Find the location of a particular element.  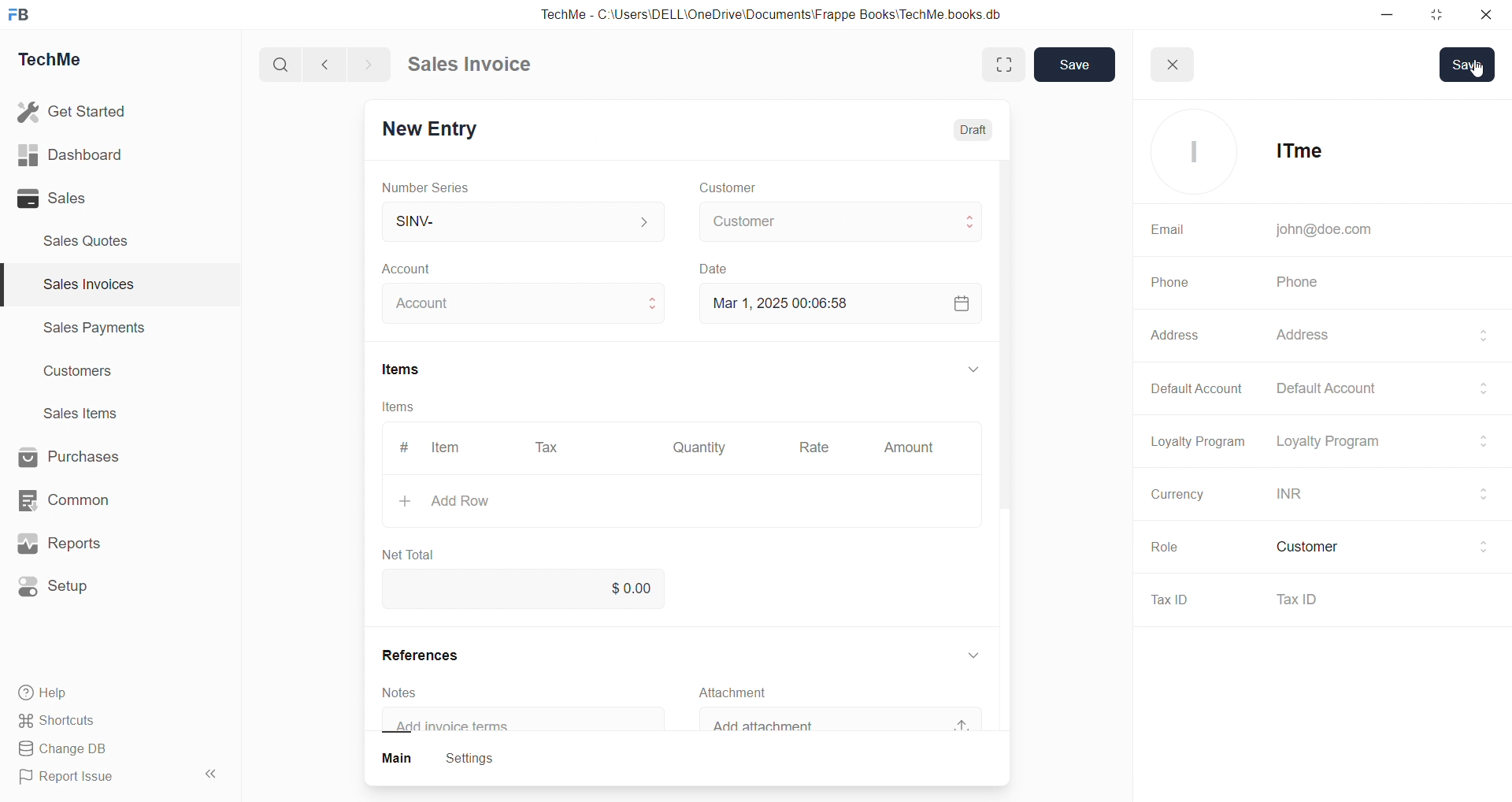

Mar 1, 2025 00:06:58 is located at coordinates (774, 303).